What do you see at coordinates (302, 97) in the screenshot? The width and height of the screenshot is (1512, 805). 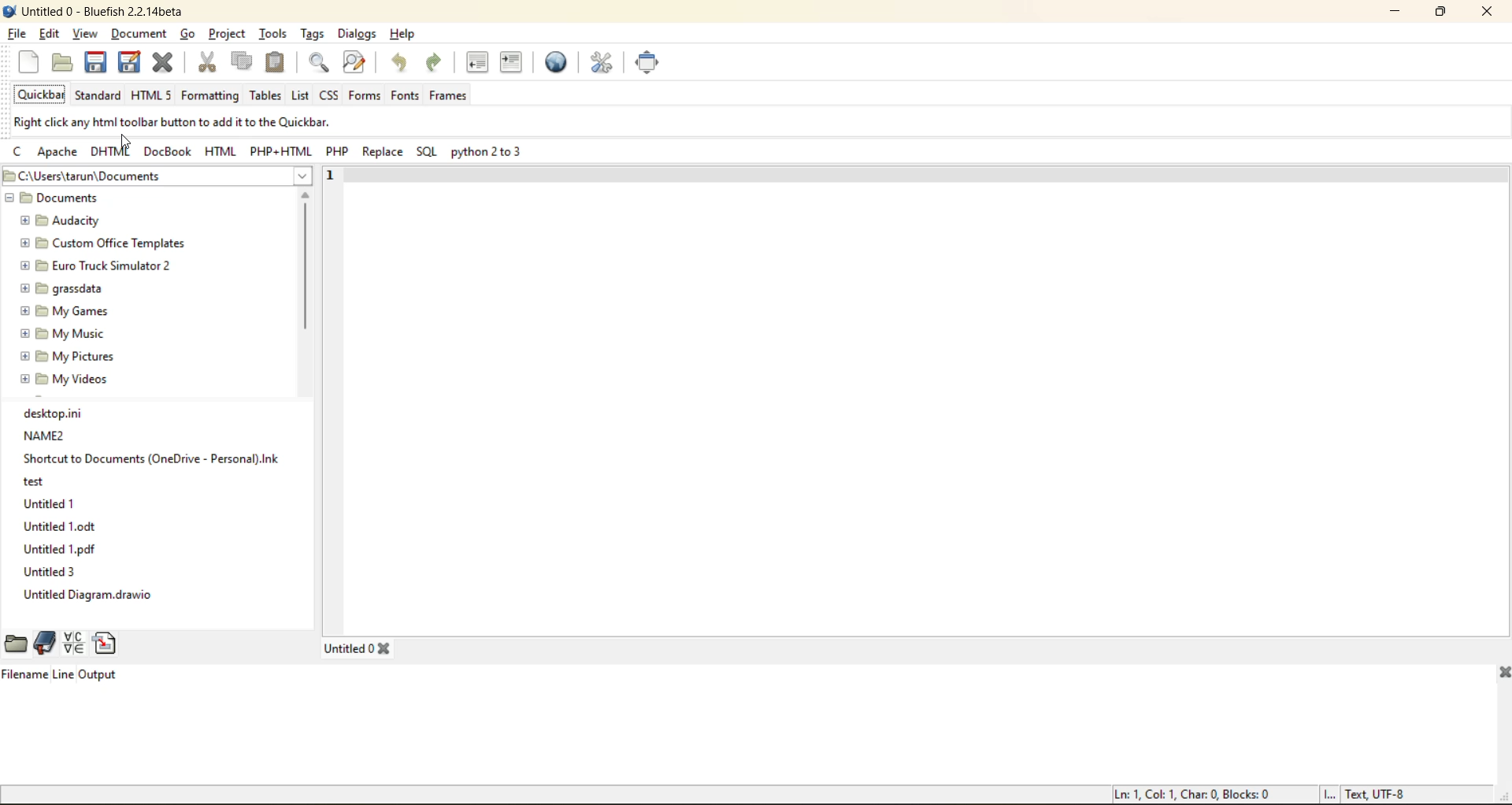 I see `list` at bounding box center [302, 97].